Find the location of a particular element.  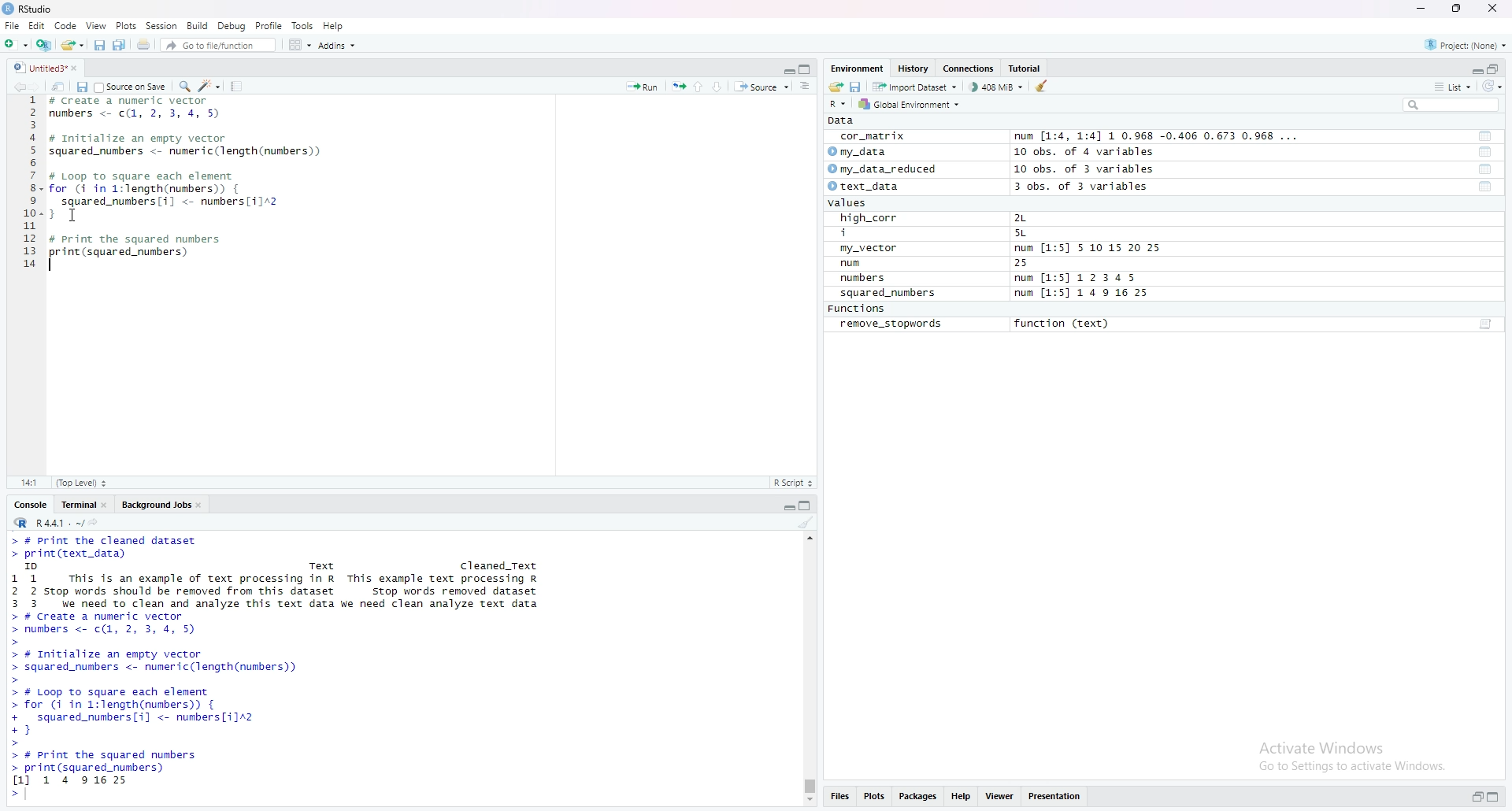

function (text) is located at coordinates (1064, 324).